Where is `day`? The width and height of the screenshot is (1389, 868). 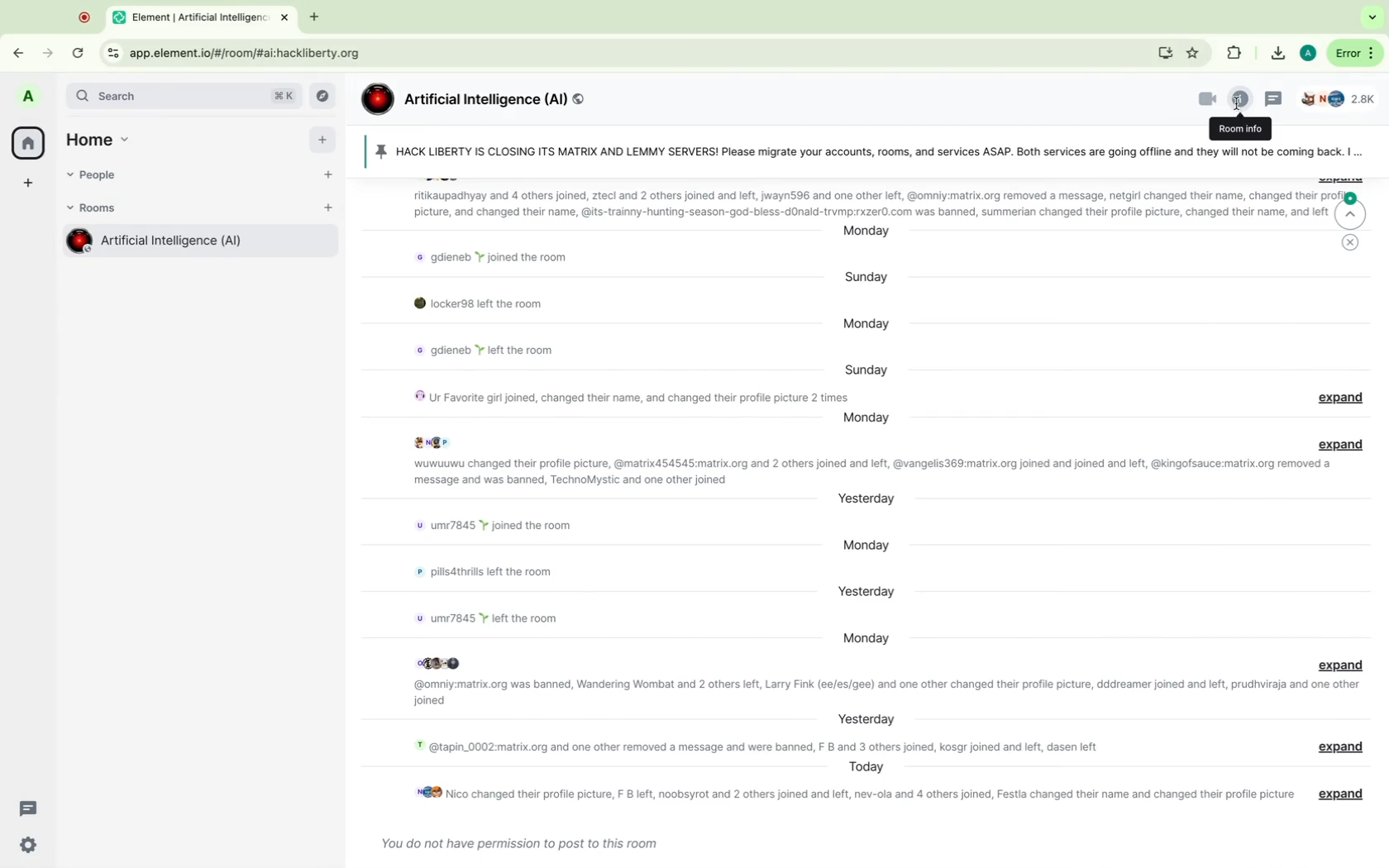 day is located at coordinates (863, 718).